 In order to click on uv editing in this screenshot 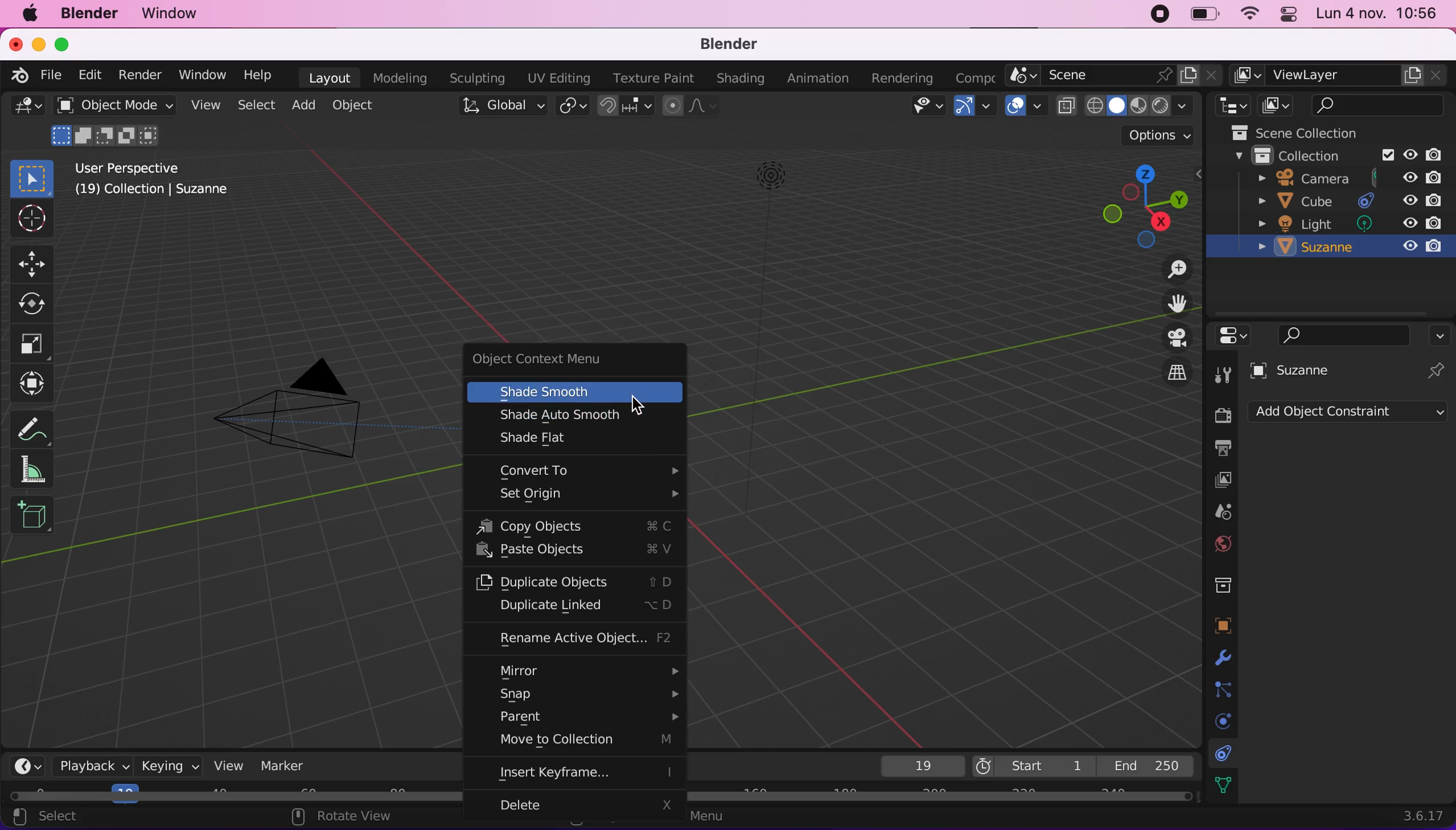, I will do `click(558, 78)`.